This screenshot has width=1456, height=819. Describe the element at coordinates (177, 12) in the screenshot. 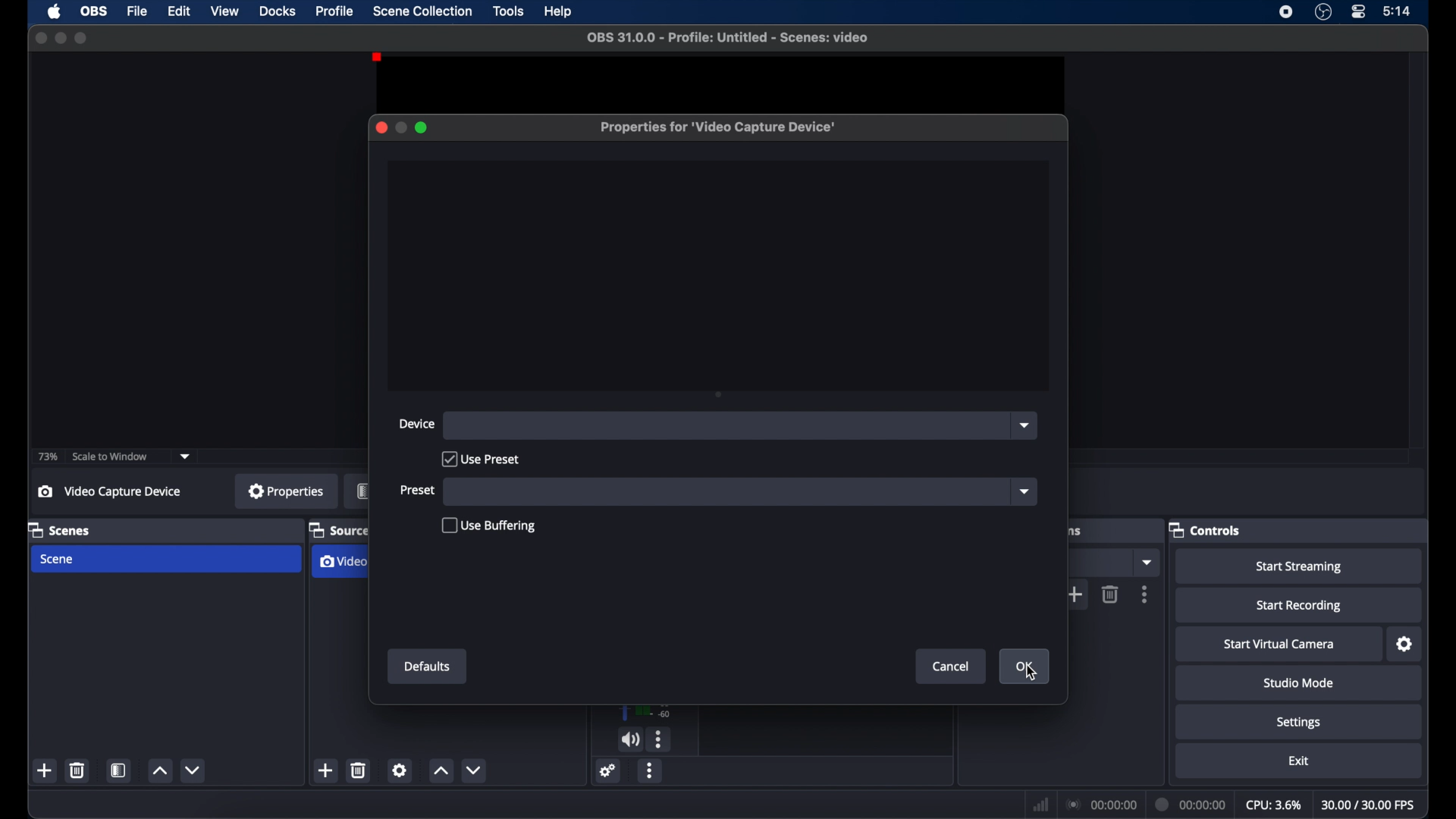

I see `edit` at that location.